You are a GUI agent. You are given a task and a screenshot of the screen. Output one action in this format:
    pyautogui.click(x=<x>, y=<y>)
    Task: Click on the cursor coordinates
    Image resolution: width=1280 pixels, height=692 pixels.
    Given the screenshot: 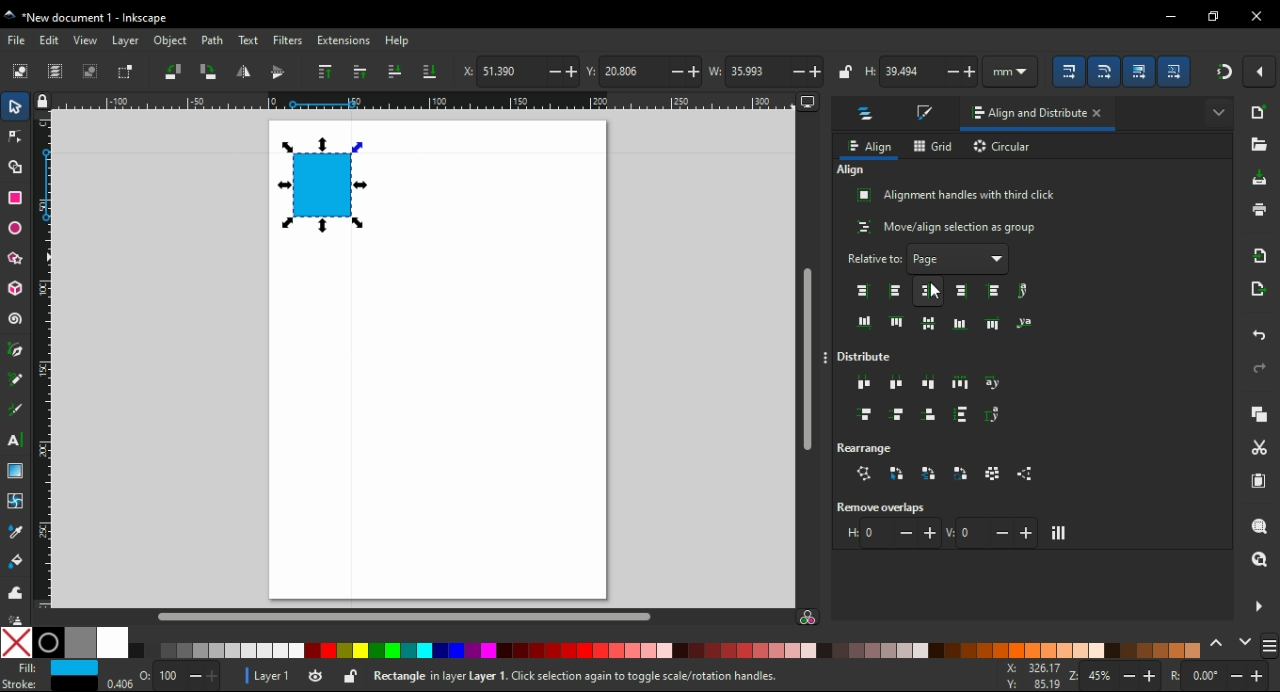 What is the action you would take?
    pyautogui.click(x=1030, y=675)
    